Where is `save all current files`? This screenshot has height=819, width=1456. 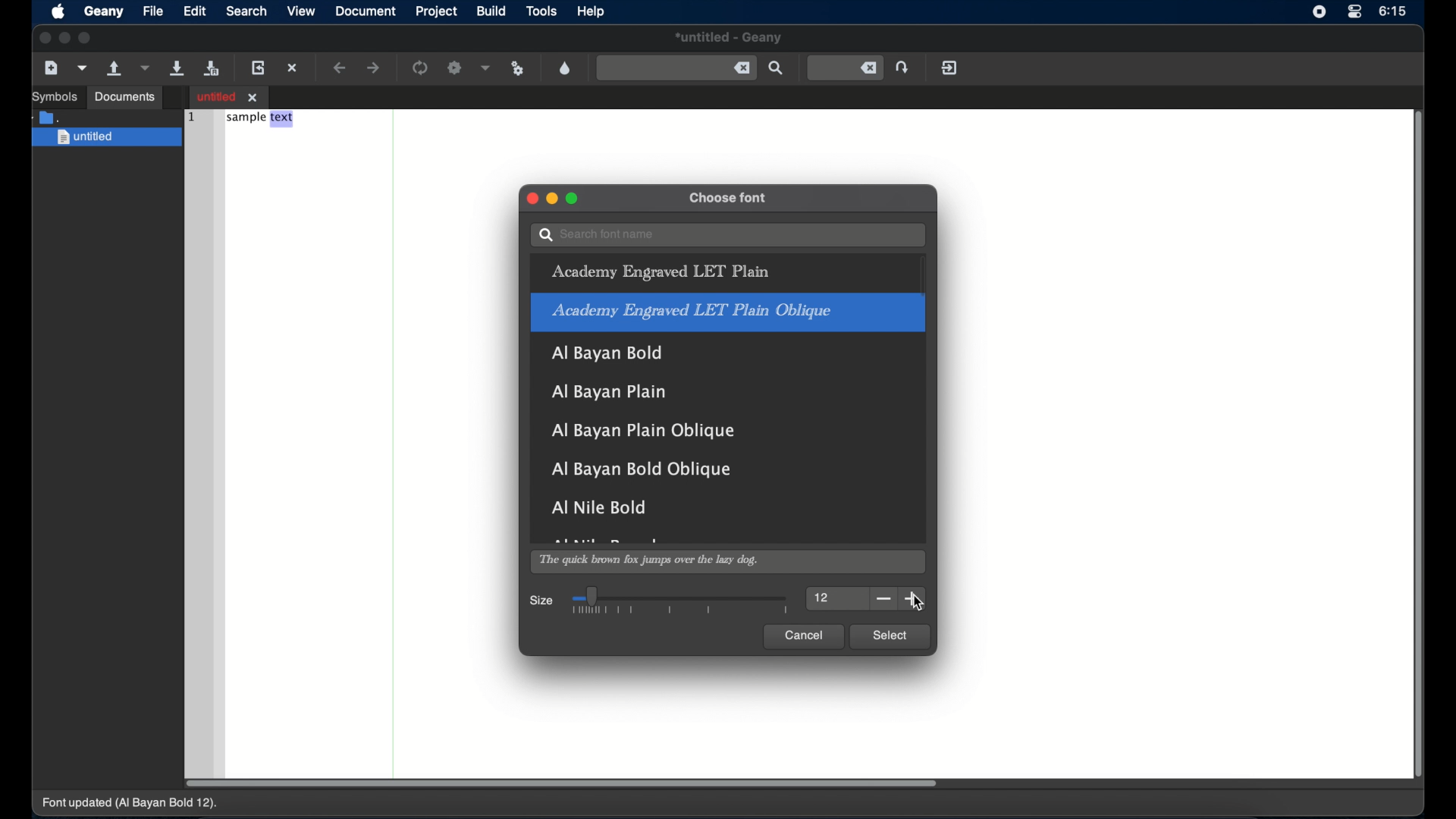
save all current files is located at coordinates (212, 69).